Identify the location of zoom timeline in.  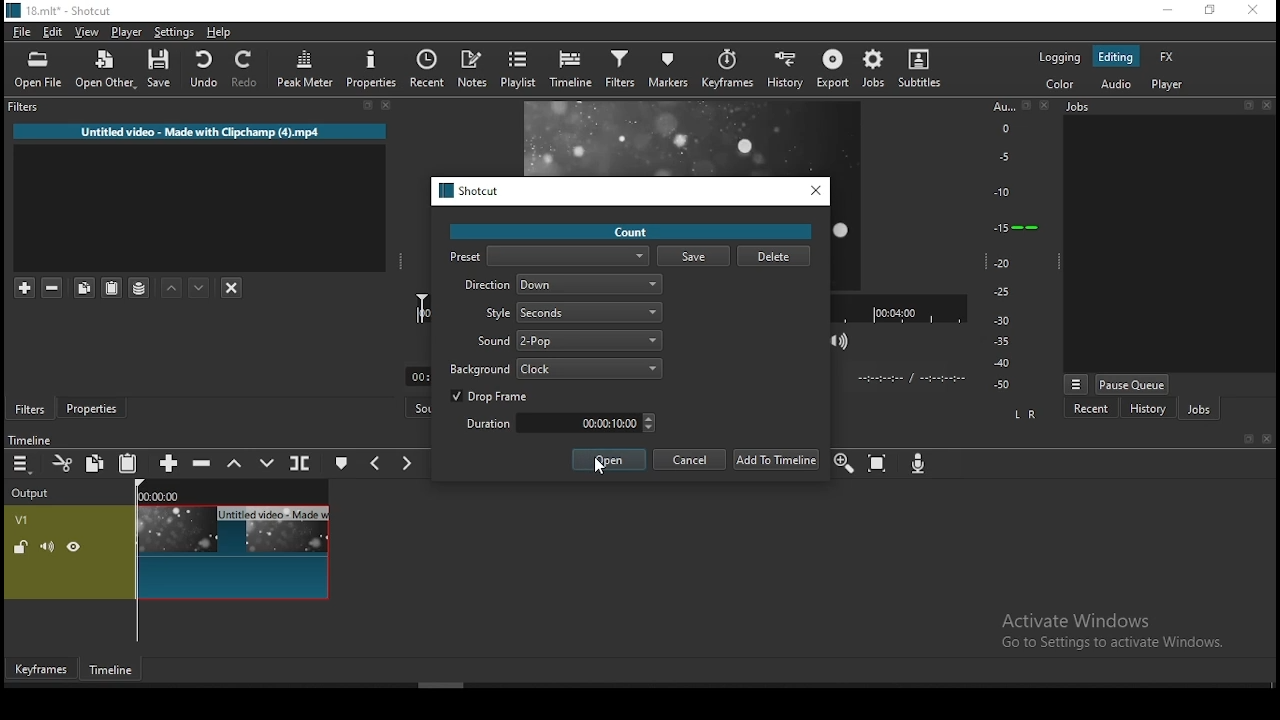
(843, 464).